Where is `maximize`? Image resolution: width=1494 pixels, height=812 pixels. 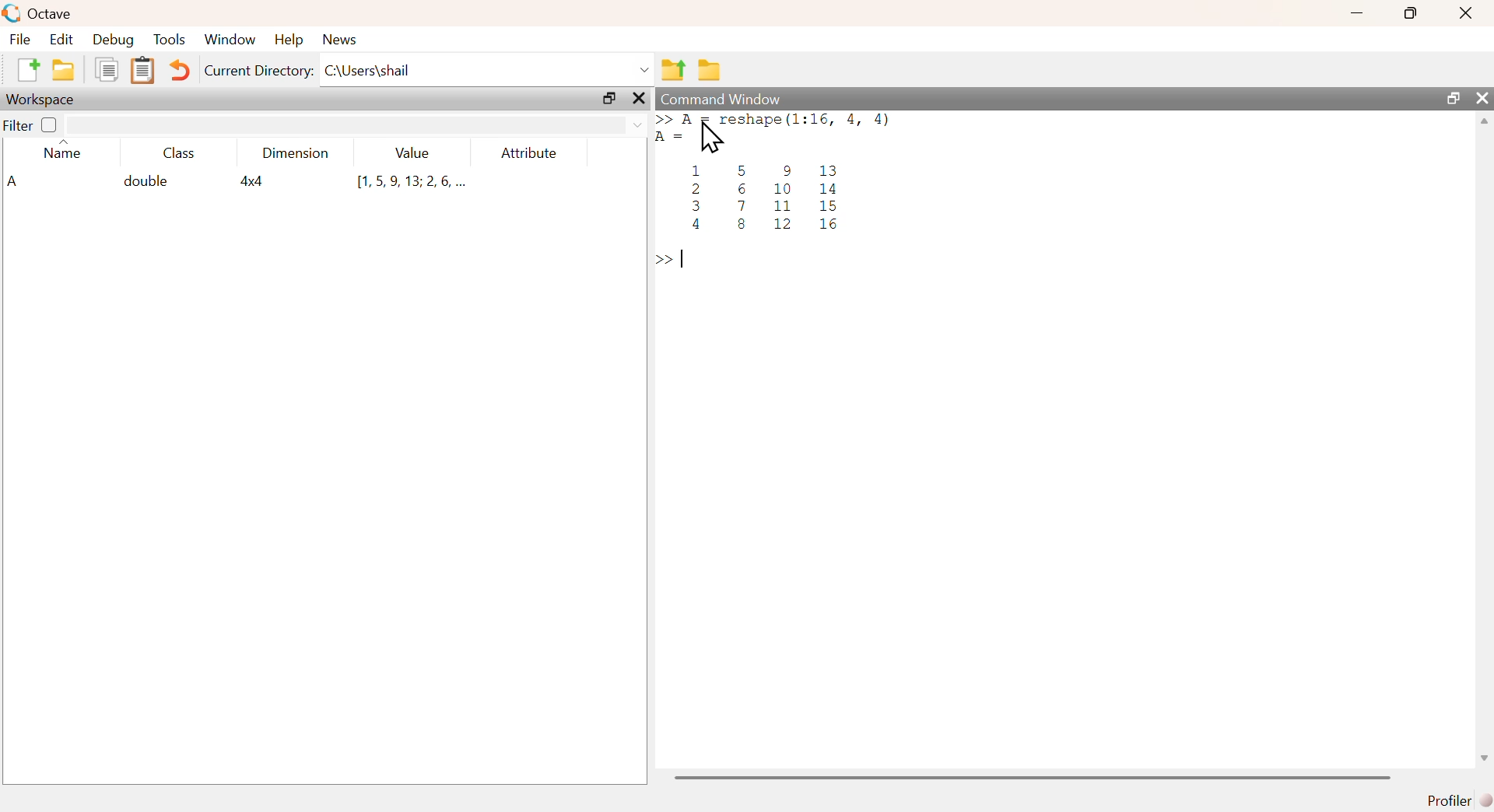 maximize is located at coordinates (1408, 13).